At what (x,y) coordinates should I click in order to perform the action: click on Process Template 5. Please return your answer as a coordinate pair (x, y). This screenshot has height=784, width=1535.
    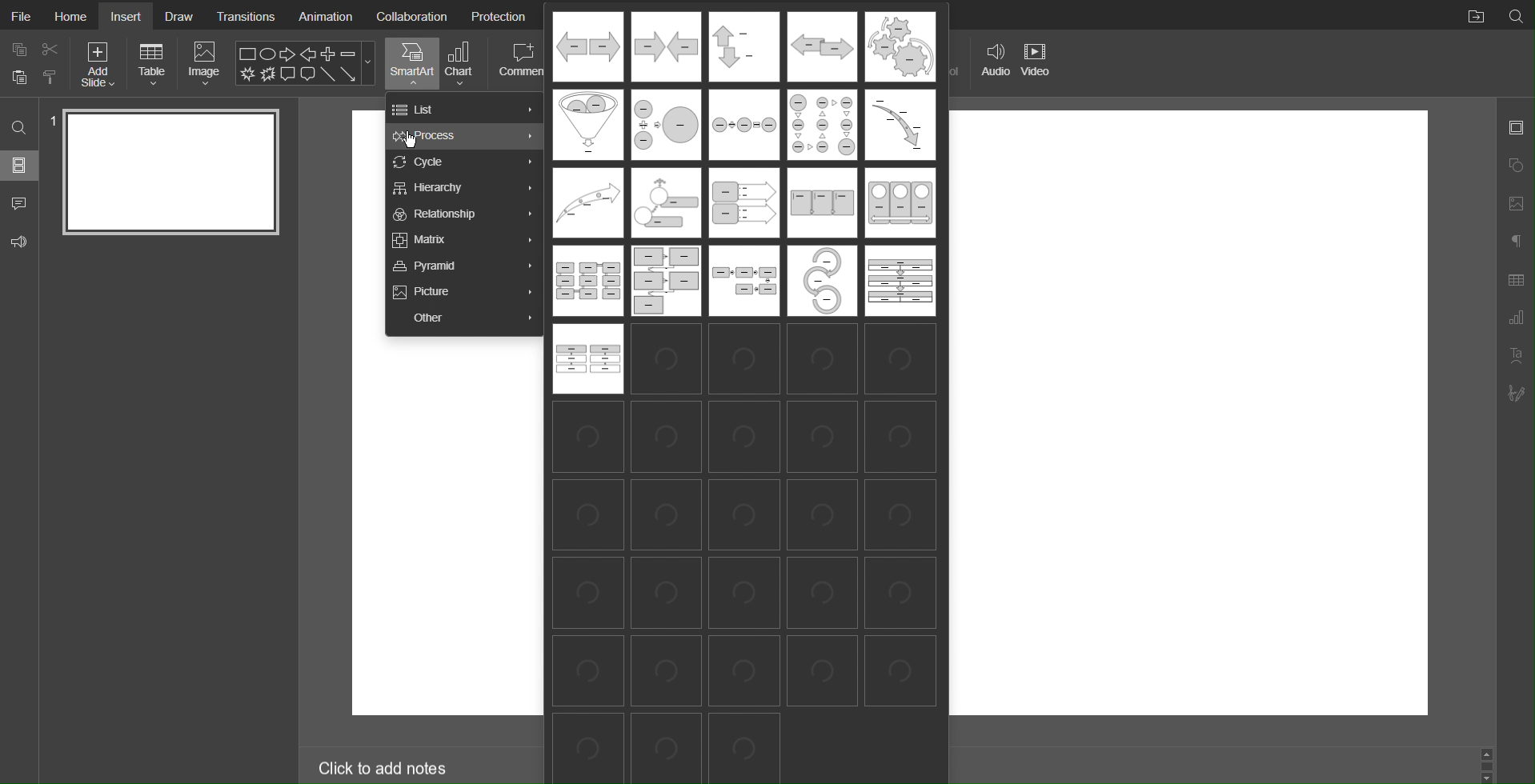
    Looking at the image, I should click on (898, 46).